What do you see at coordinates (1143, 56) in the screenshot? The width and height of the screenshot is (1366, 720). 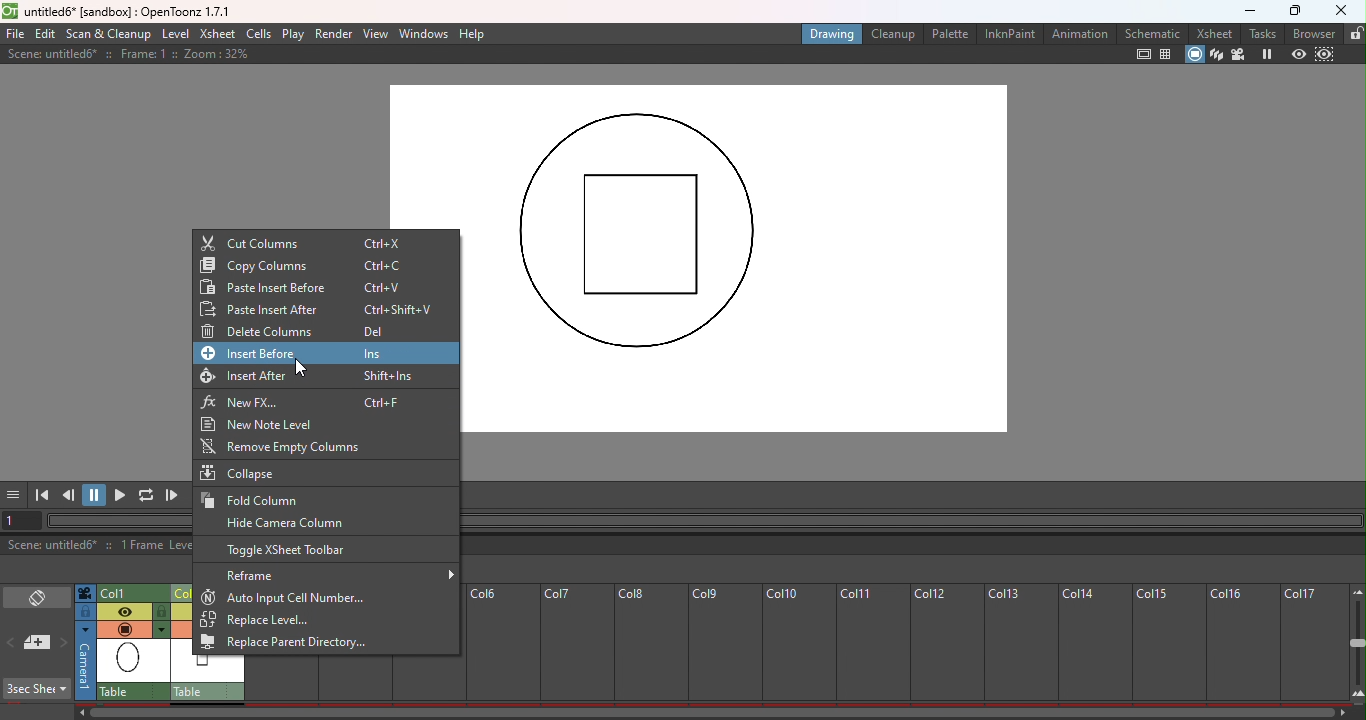 I see `Safe area` at bounding box center [1143, 56].